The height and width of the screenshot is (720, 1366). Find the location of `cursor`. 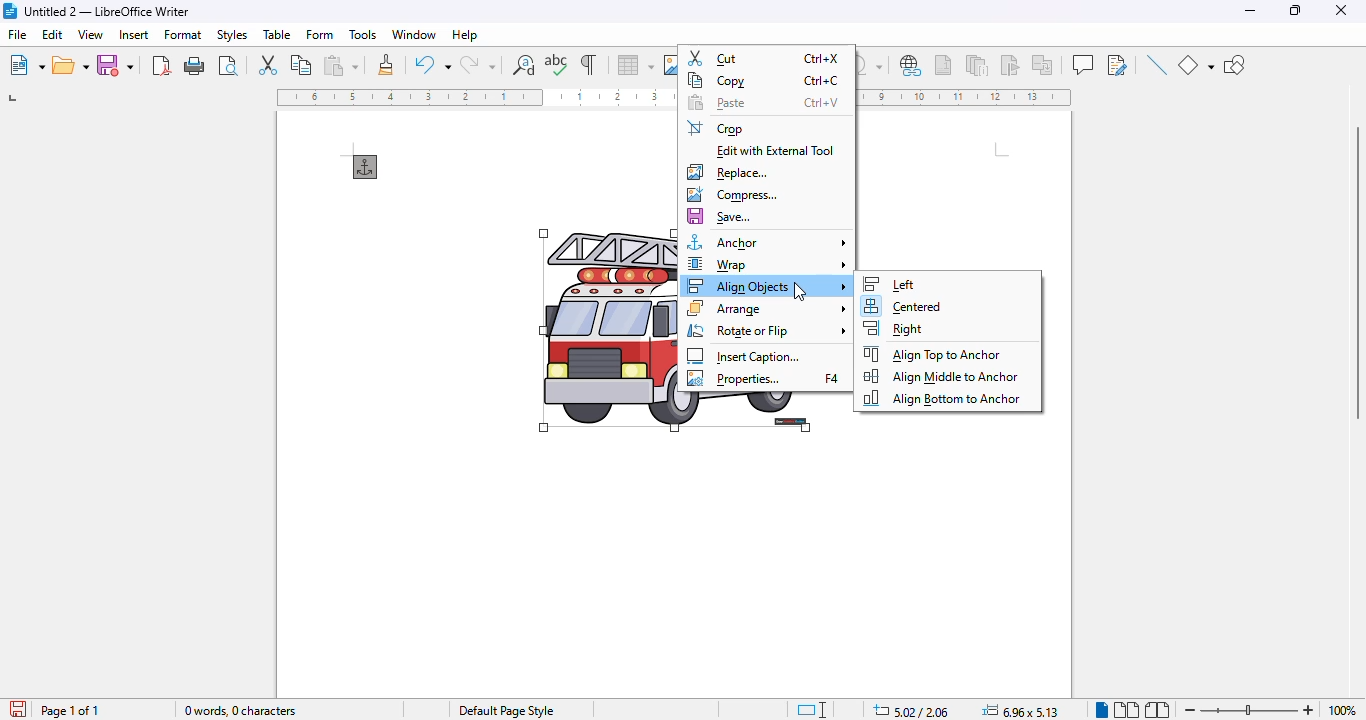

cursor is located at coordinates (800, 291).